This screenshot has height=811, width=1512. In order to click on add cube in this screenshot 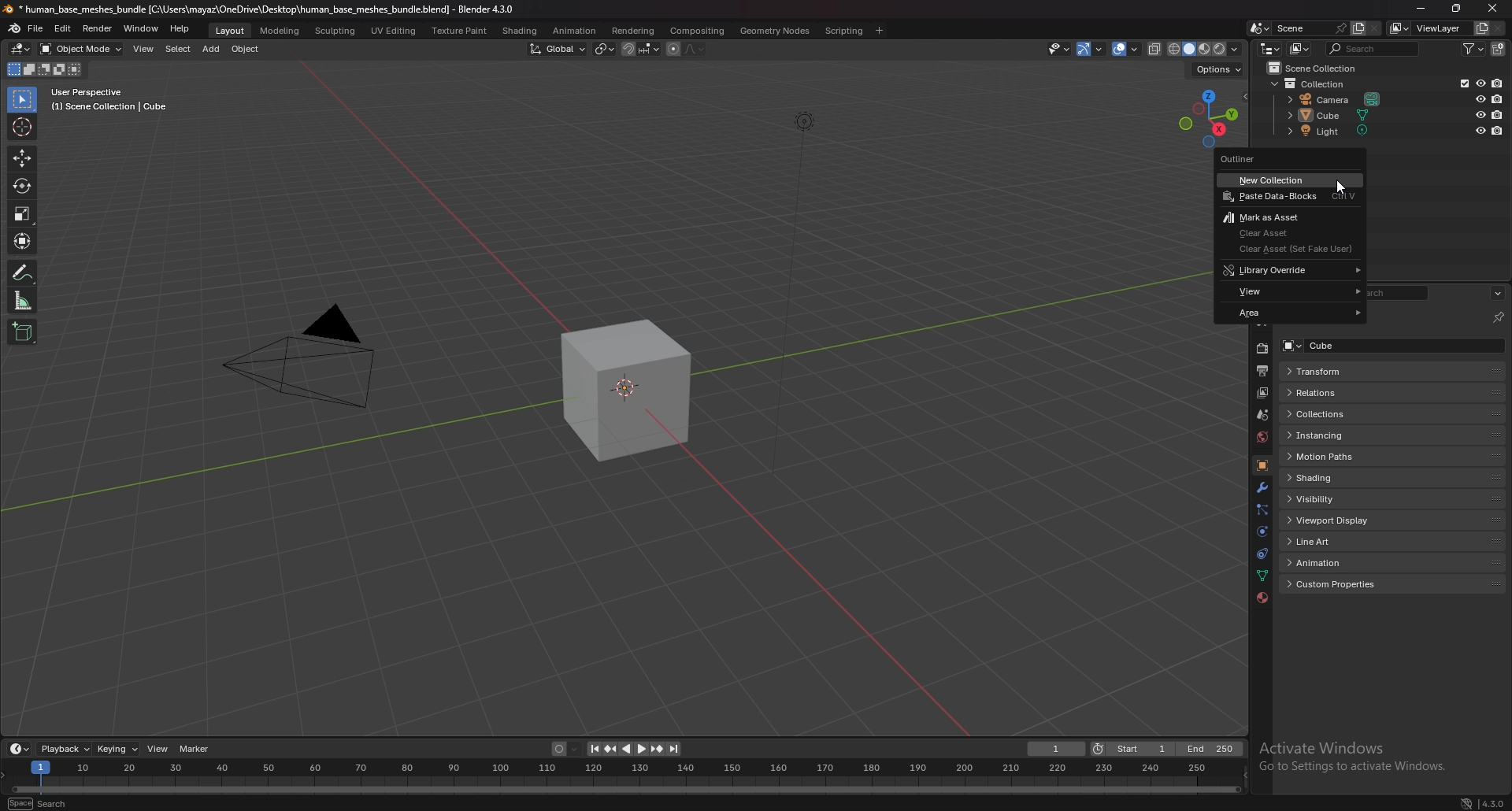, I will do `click(23, 331)`.